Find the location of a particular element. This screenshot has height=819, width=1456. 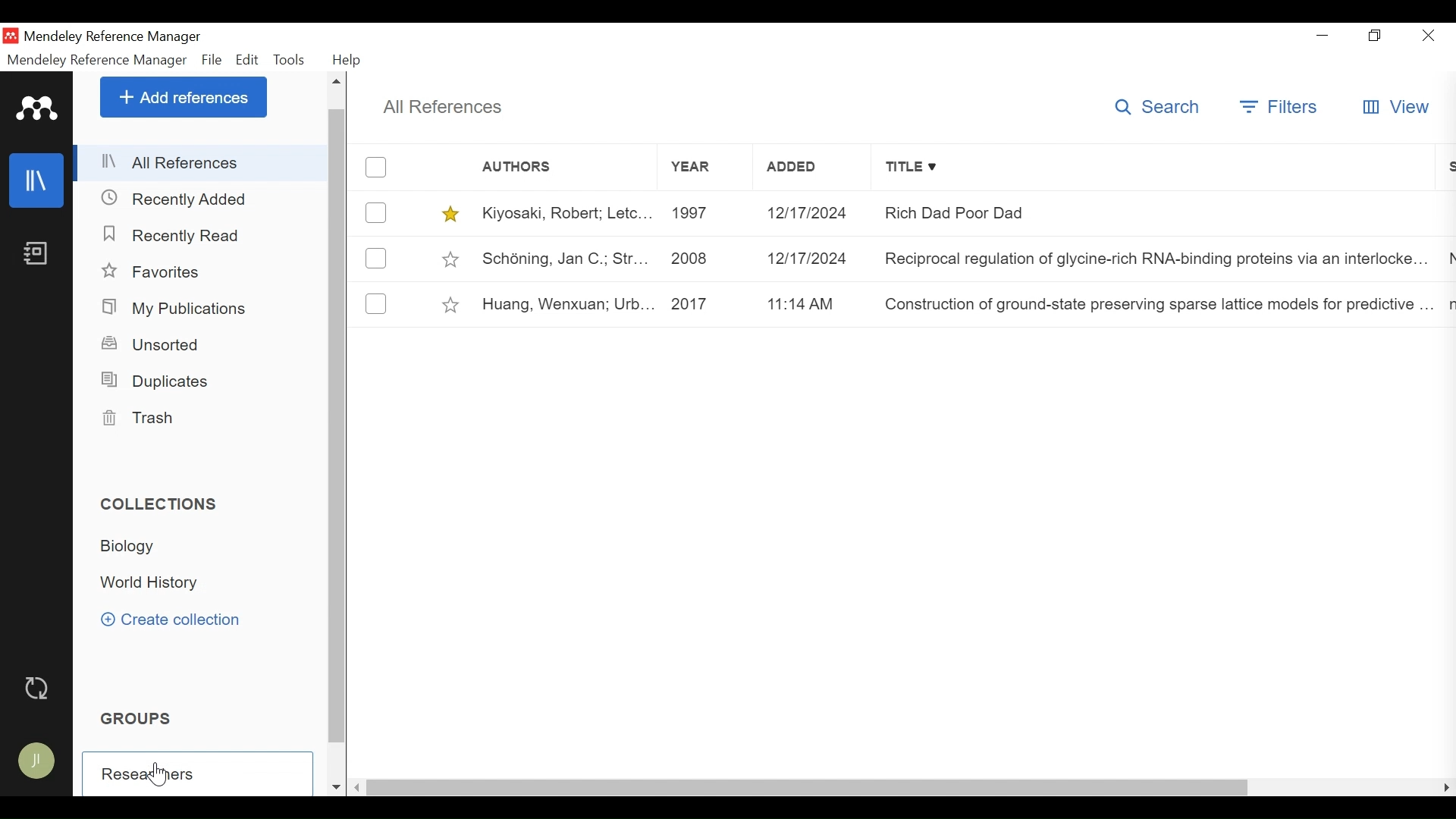

(un)select is located at coordinates (376, 304).